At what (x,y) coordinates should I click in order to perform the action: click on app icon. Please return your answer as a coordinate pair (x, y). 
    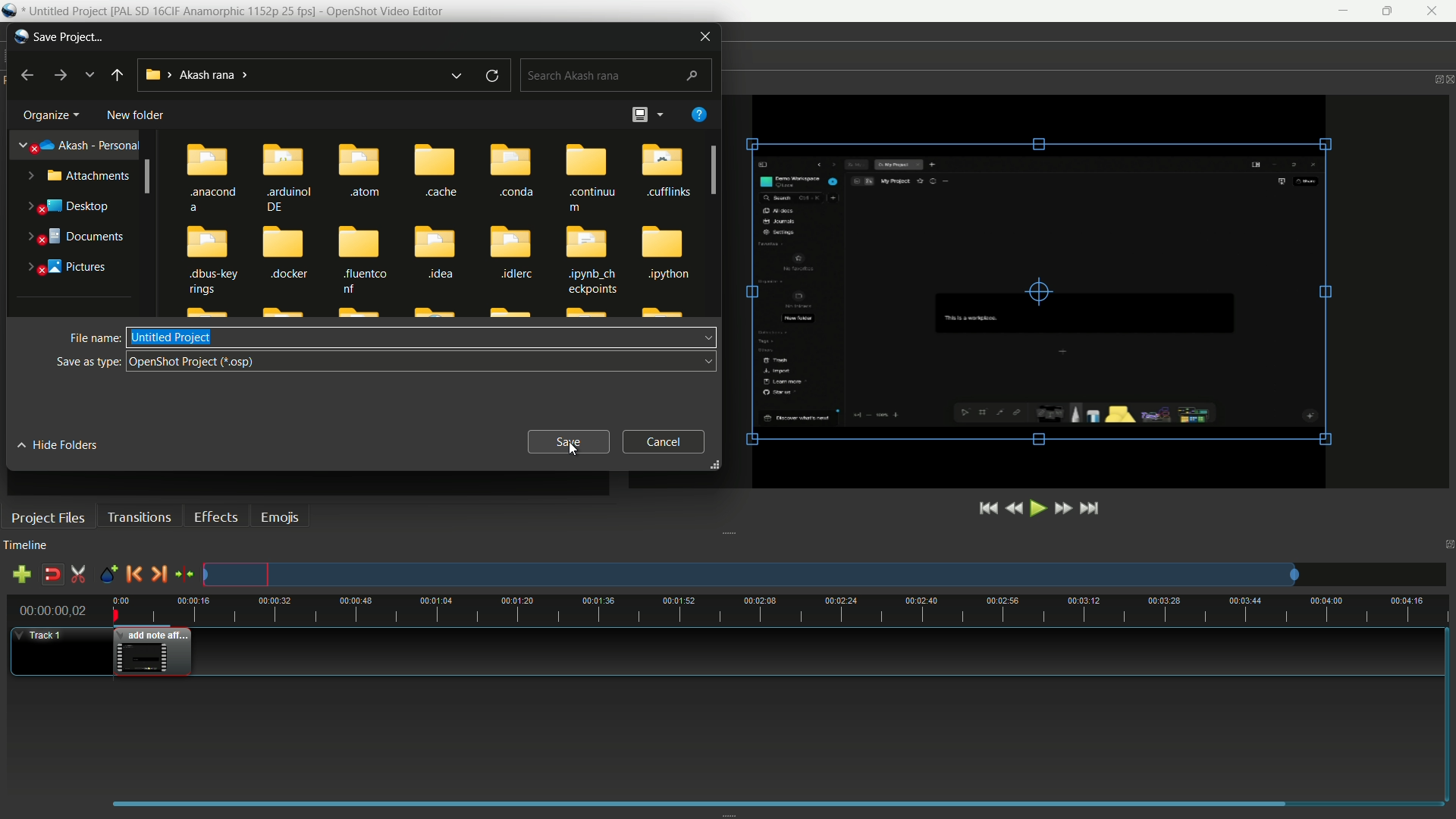
    Looking at the image, I should click on (19, 35).